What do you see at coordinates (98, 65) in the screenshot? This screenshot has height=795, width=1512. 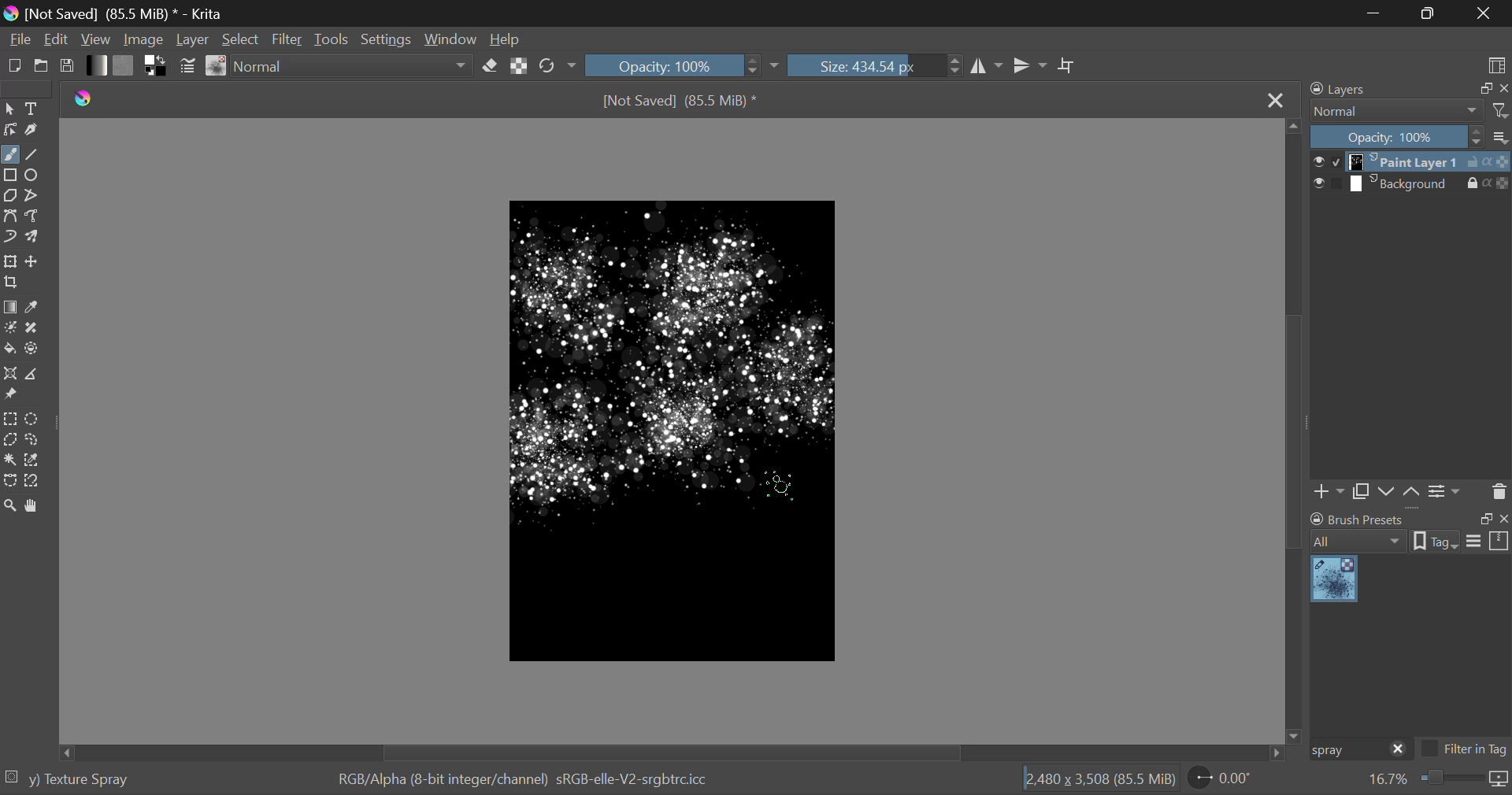 I see `Gradient` at bounding box center [98, 65].